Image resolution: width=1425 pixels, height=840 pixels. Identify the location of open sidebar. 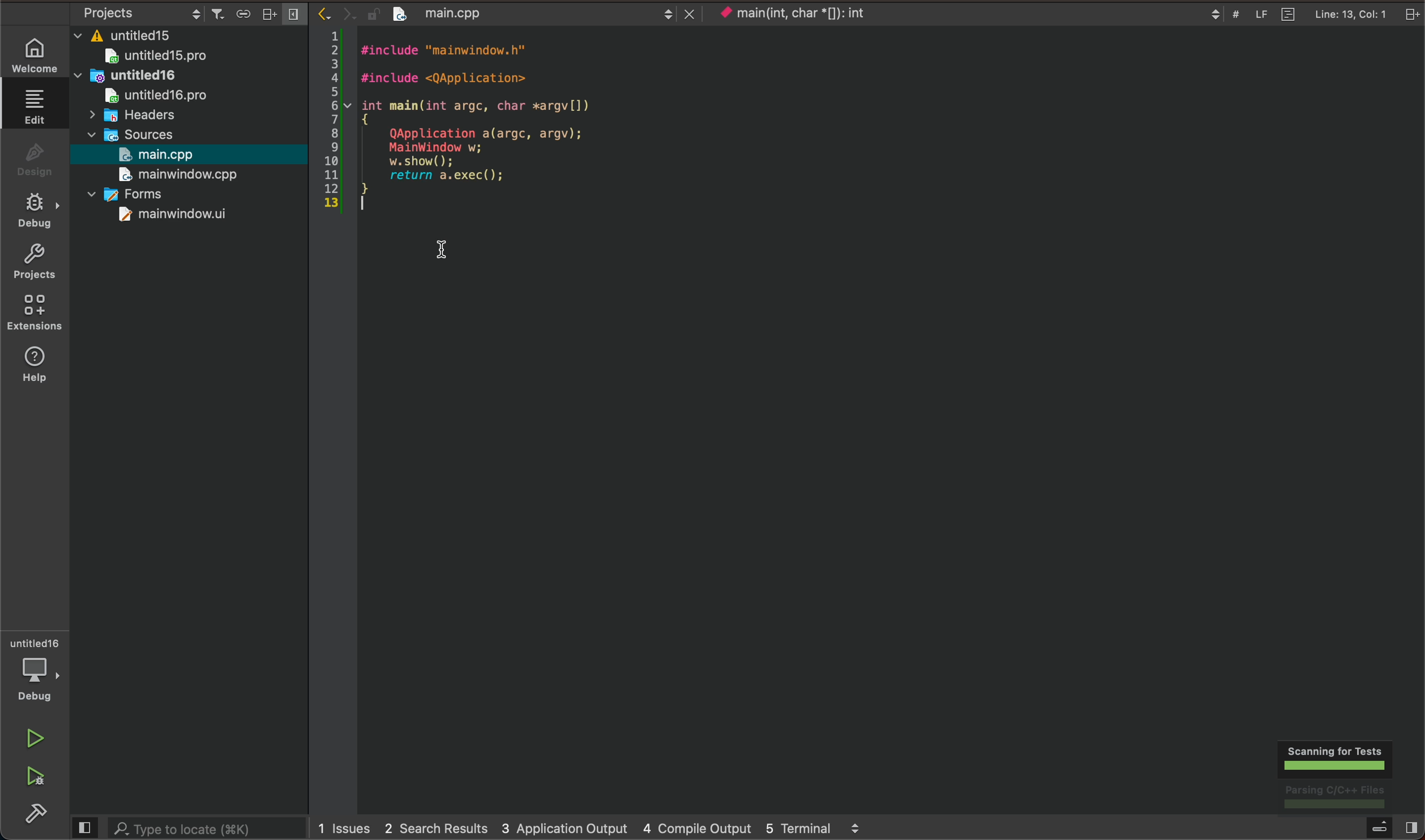
(1388, 828).